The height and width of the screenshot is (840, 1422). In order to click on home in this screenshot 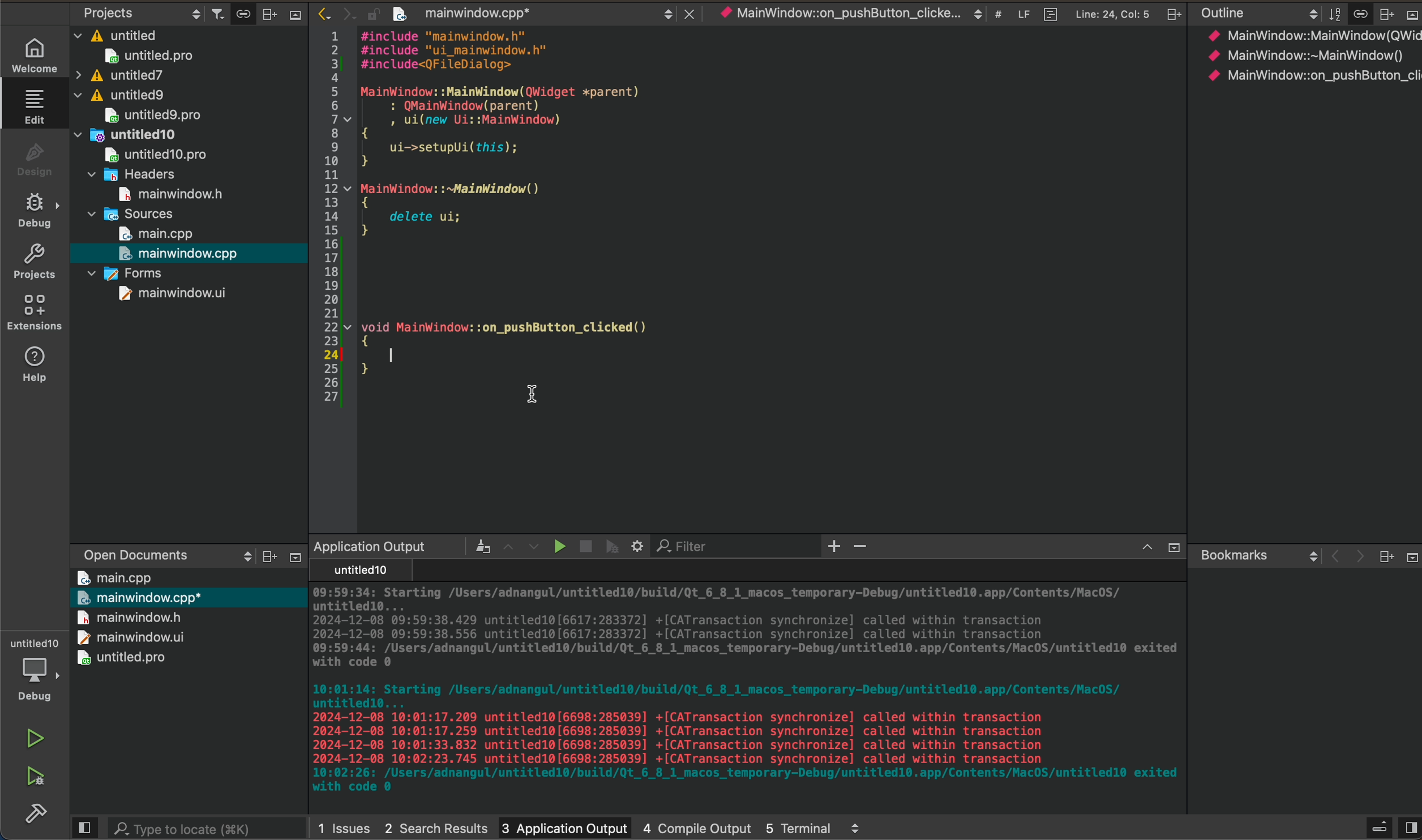, I will do `click(31, 54)`.